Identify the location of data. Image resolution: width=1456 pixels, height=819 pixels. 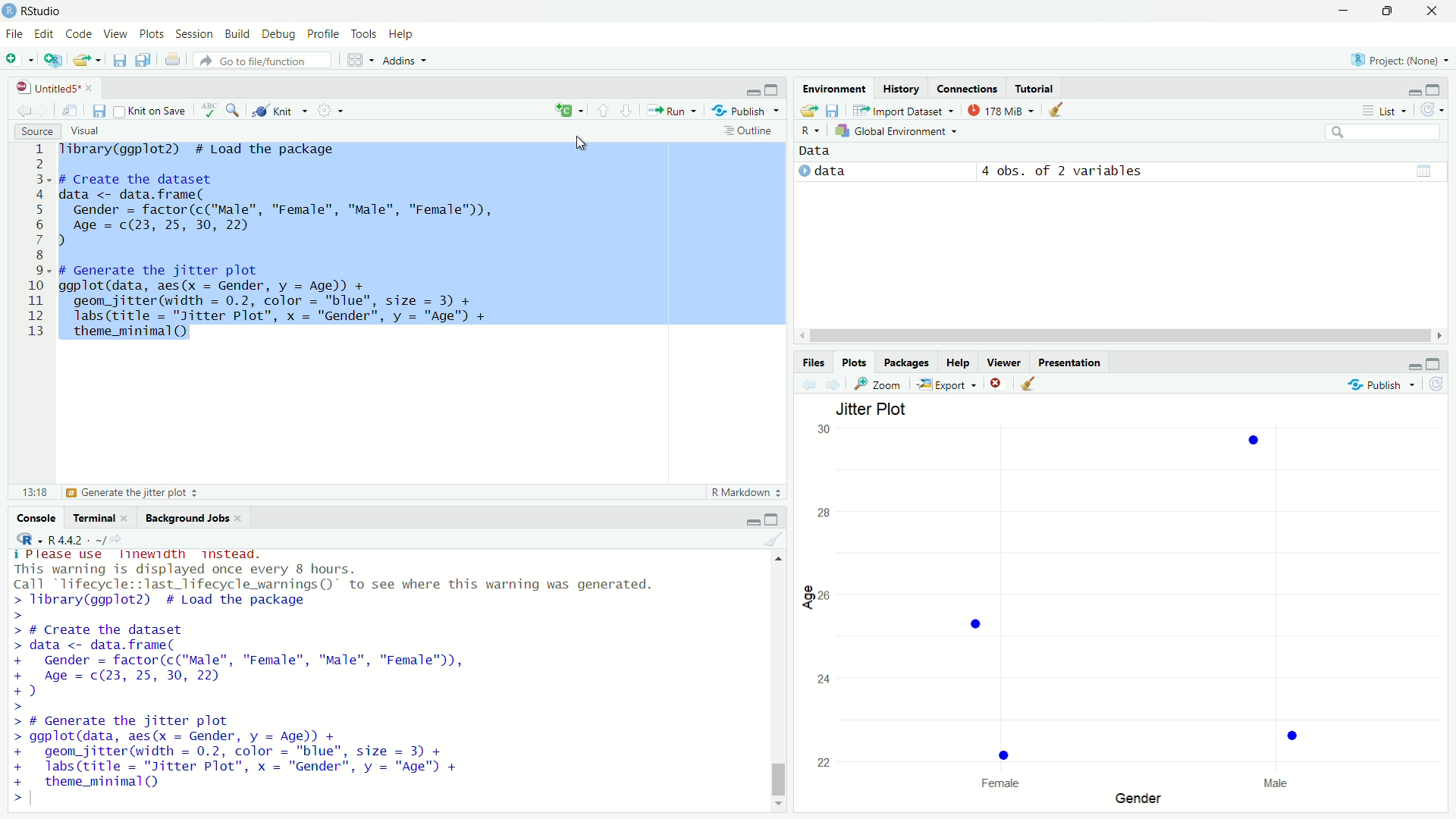
(839, 171).